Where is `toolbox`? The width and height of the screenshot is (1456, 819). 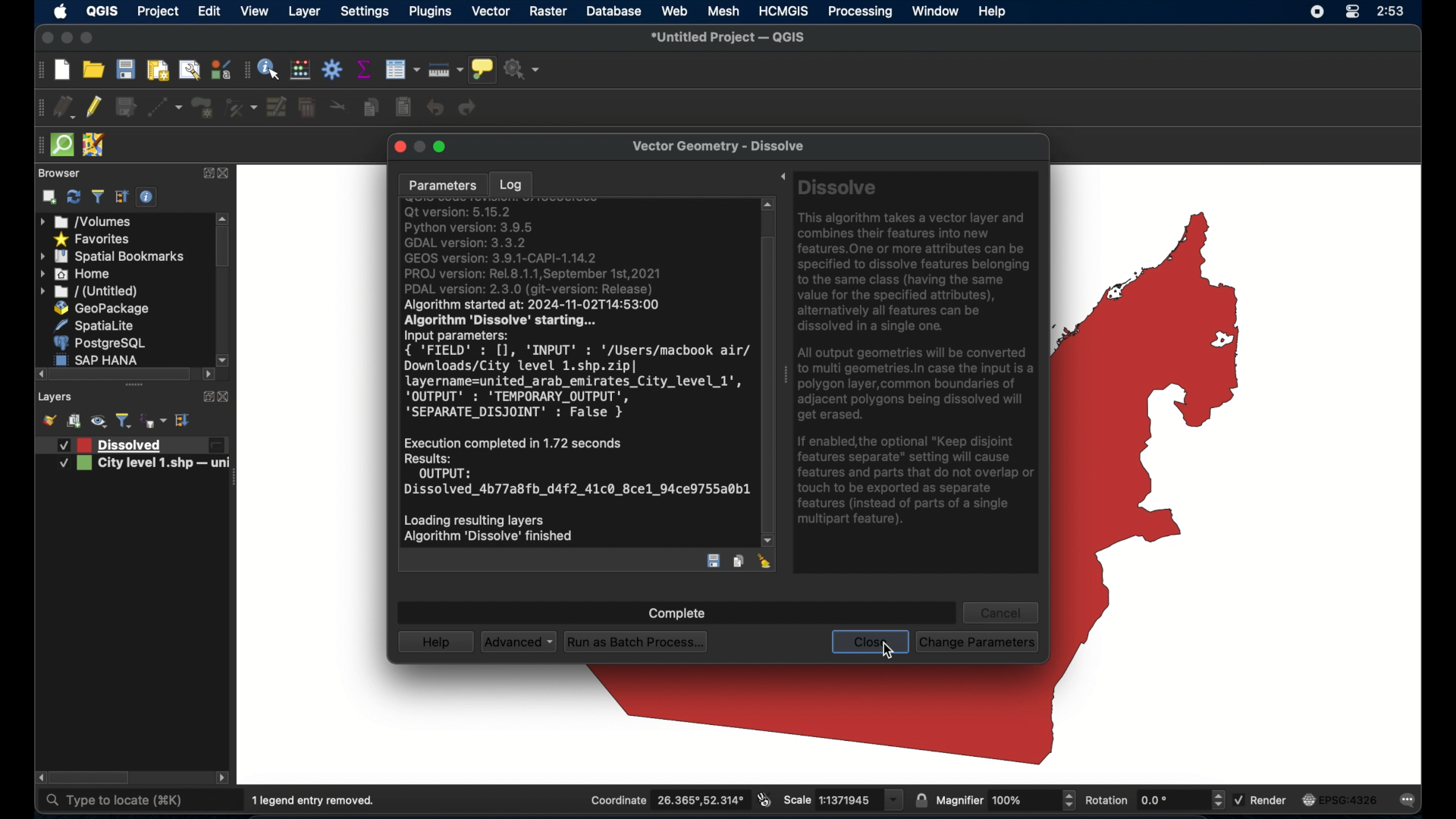
toolbox is located at coordinates (333, 69).